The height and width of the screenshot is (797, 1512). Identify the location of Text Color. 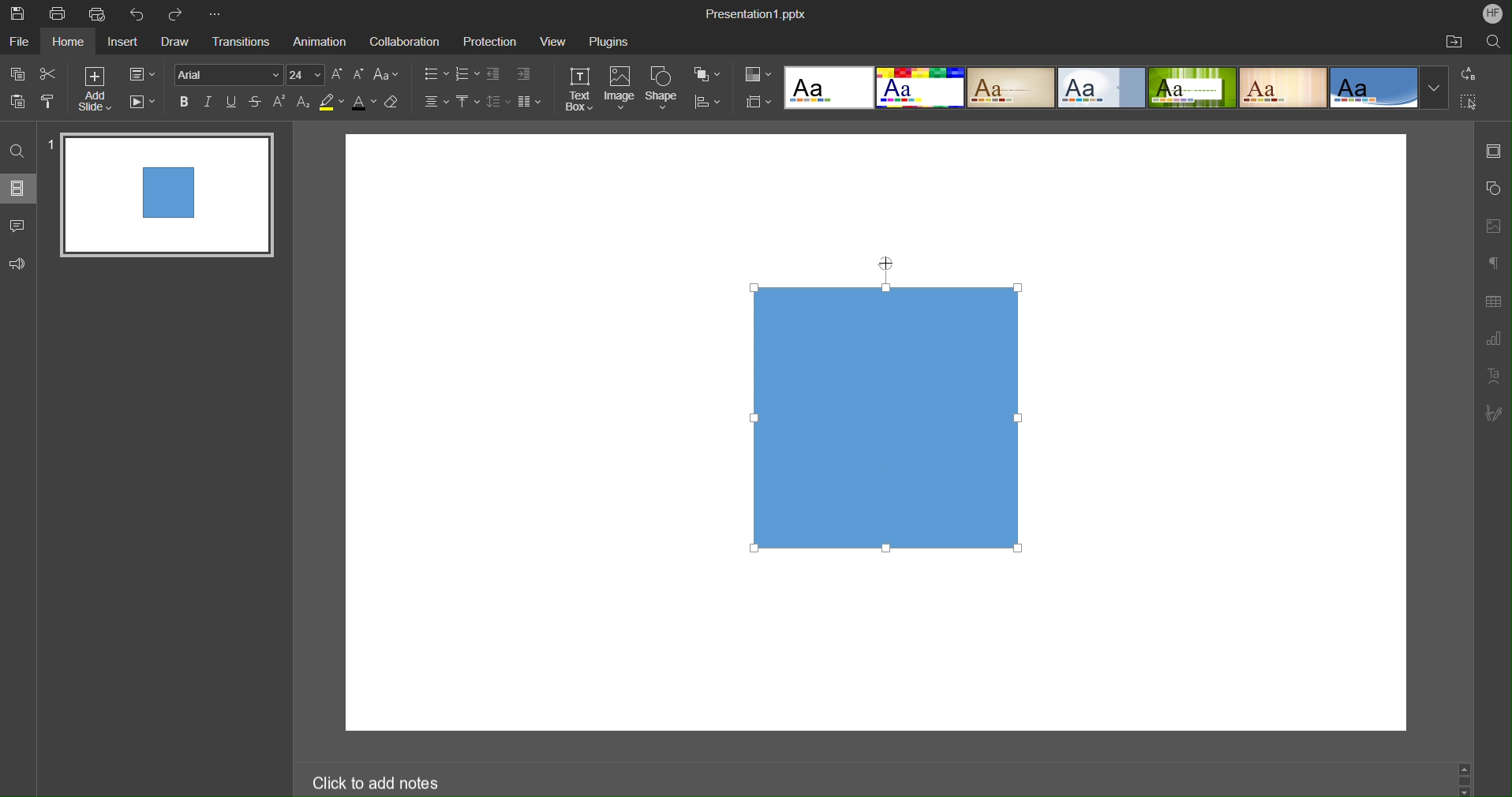
(364, 102).